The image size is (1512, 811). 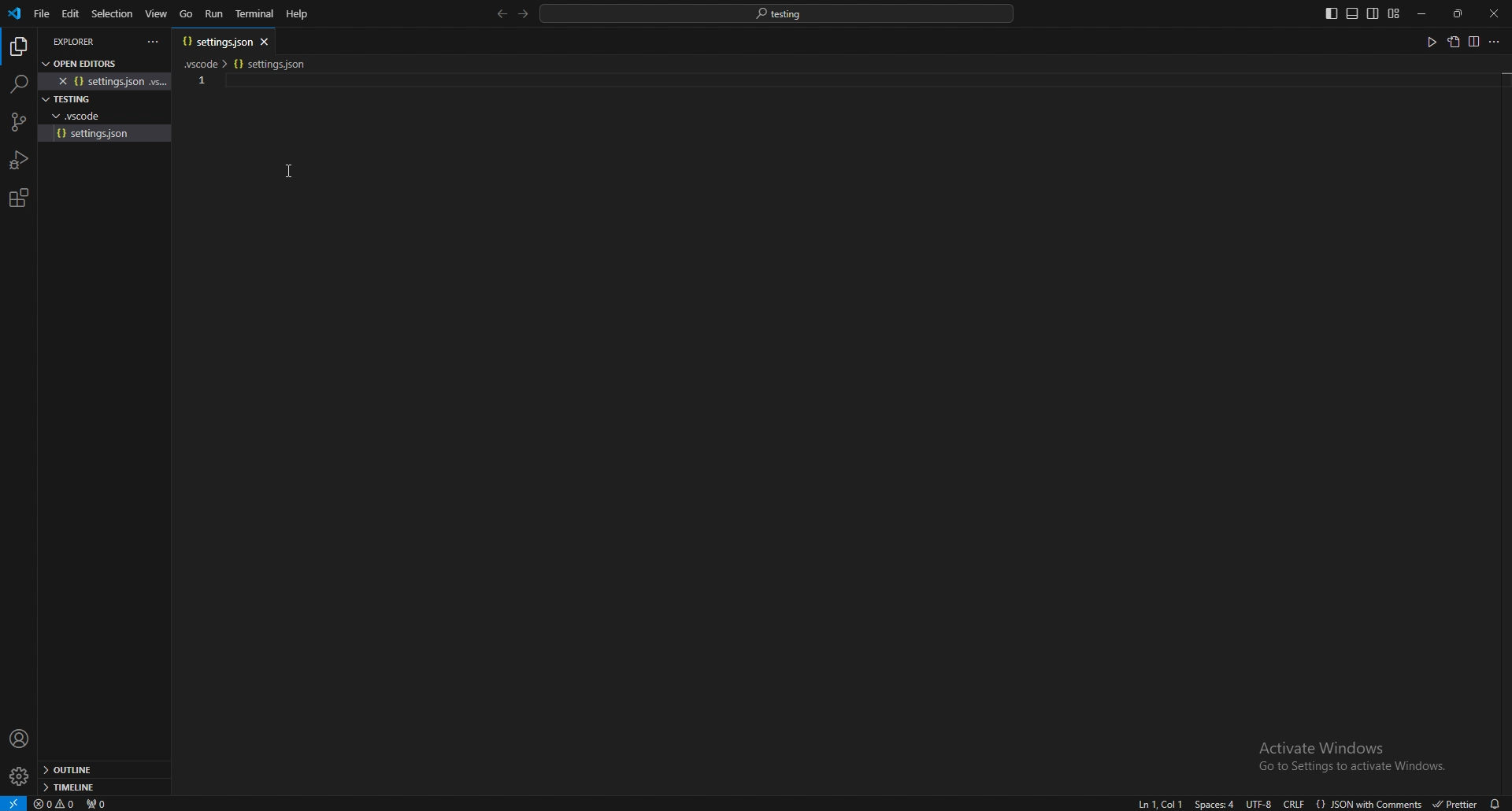 I want to click on language, so click(x=1369, y=804).